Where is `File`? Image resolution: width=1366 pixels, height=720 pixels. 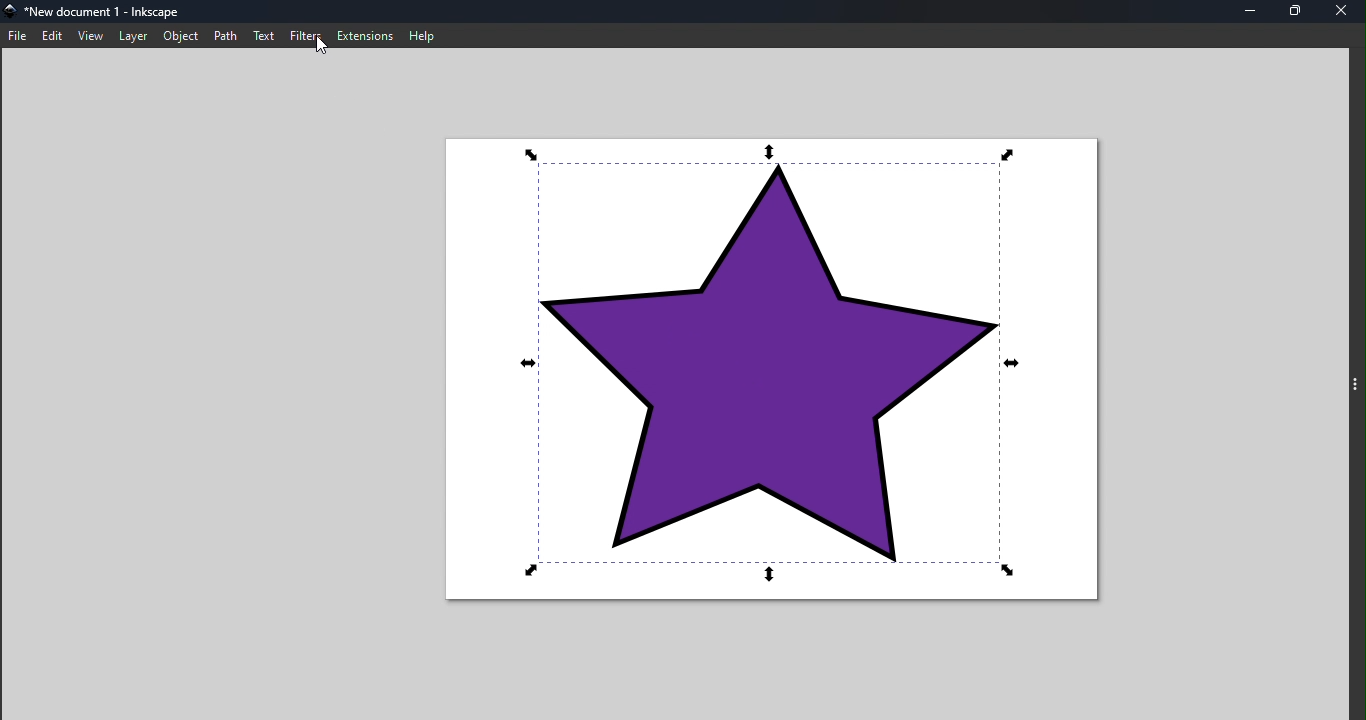
File is located at coordinates (18, 37).